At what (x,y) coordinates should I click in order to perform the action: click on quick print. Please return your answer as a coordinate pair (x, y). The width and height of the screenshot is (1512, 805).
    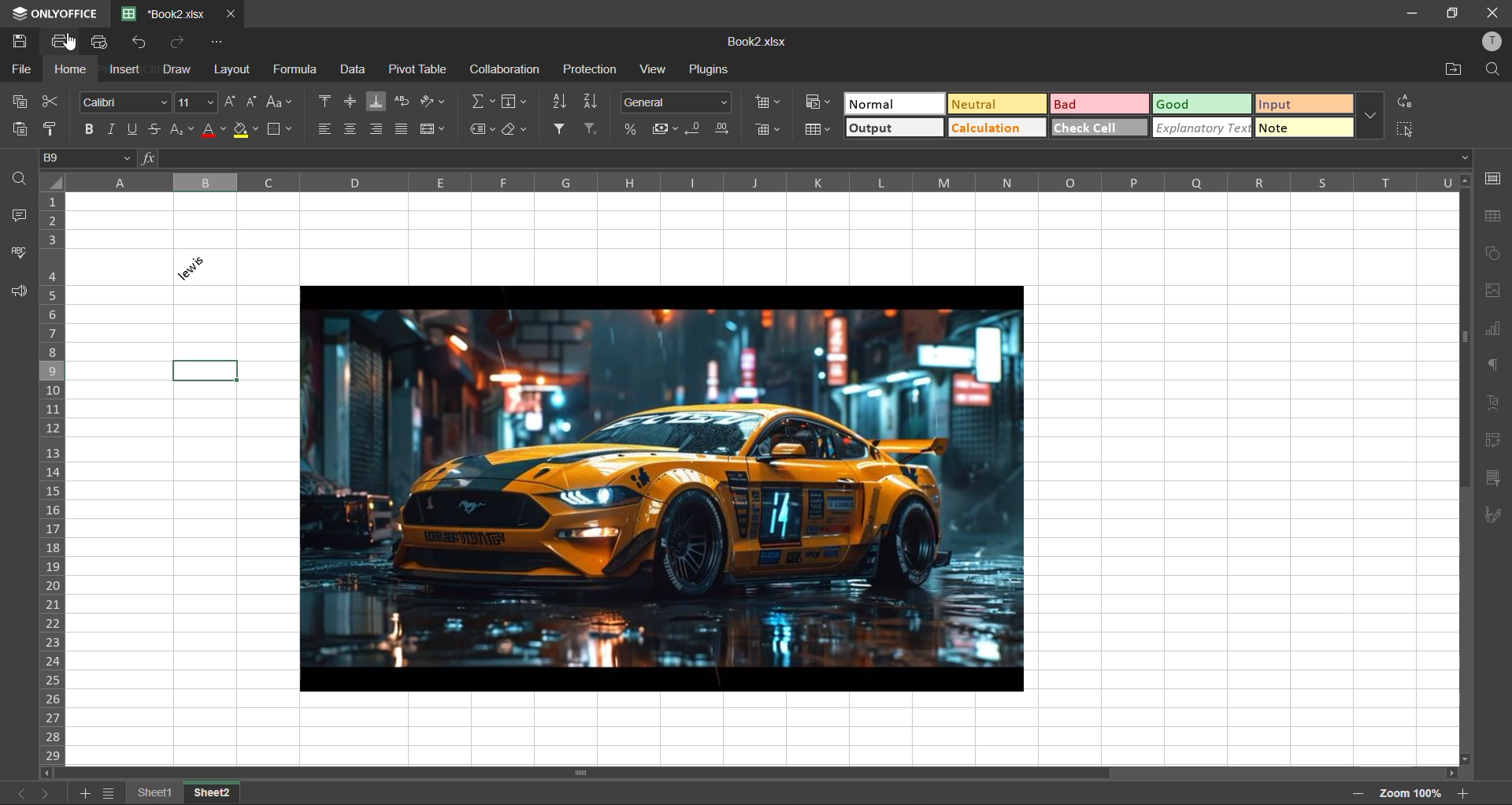
    Looking at the image, I should click on (102, 44).